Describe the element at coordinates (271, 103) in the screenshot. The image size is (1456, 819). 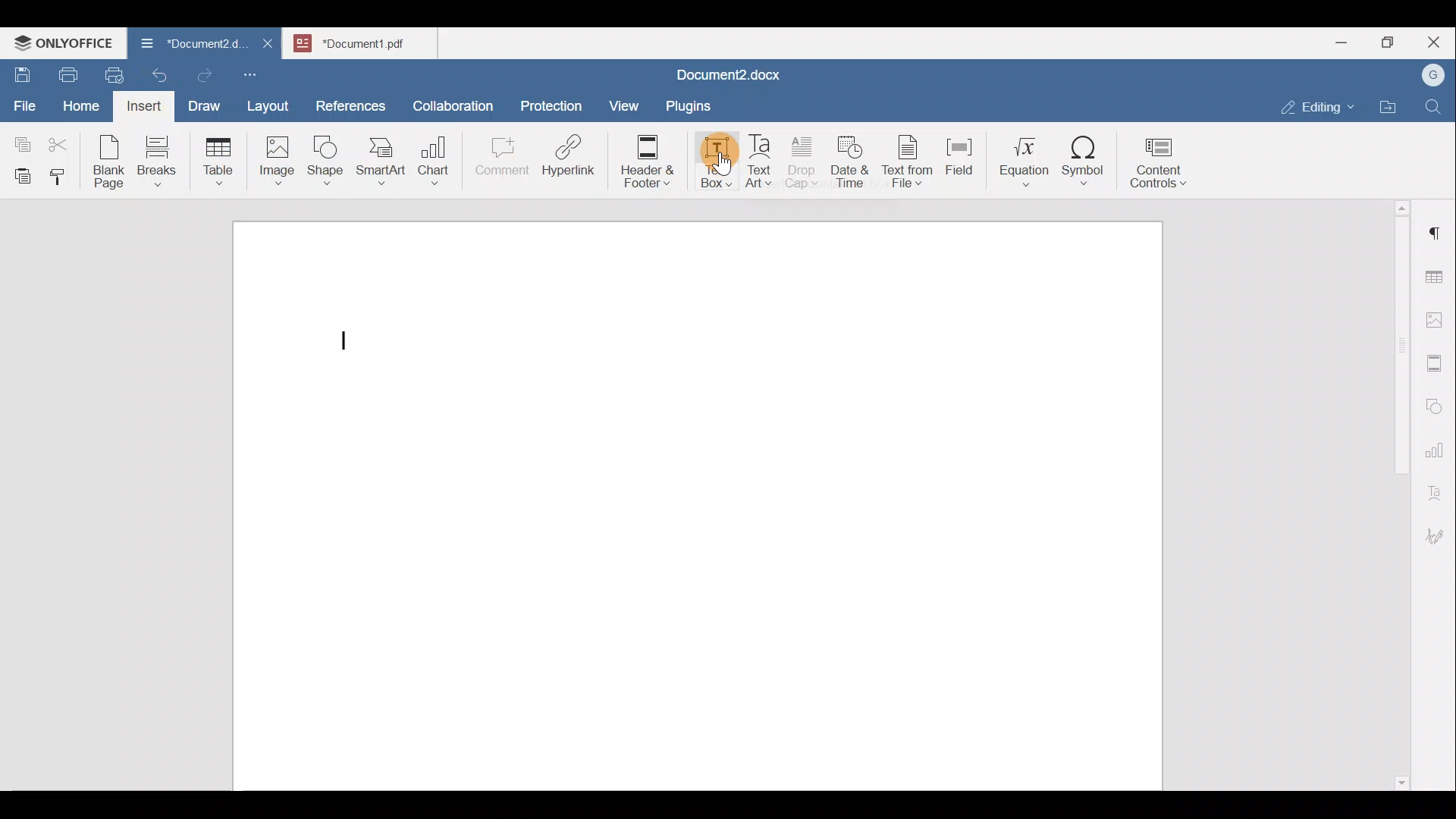
I see `Layout` at that location.